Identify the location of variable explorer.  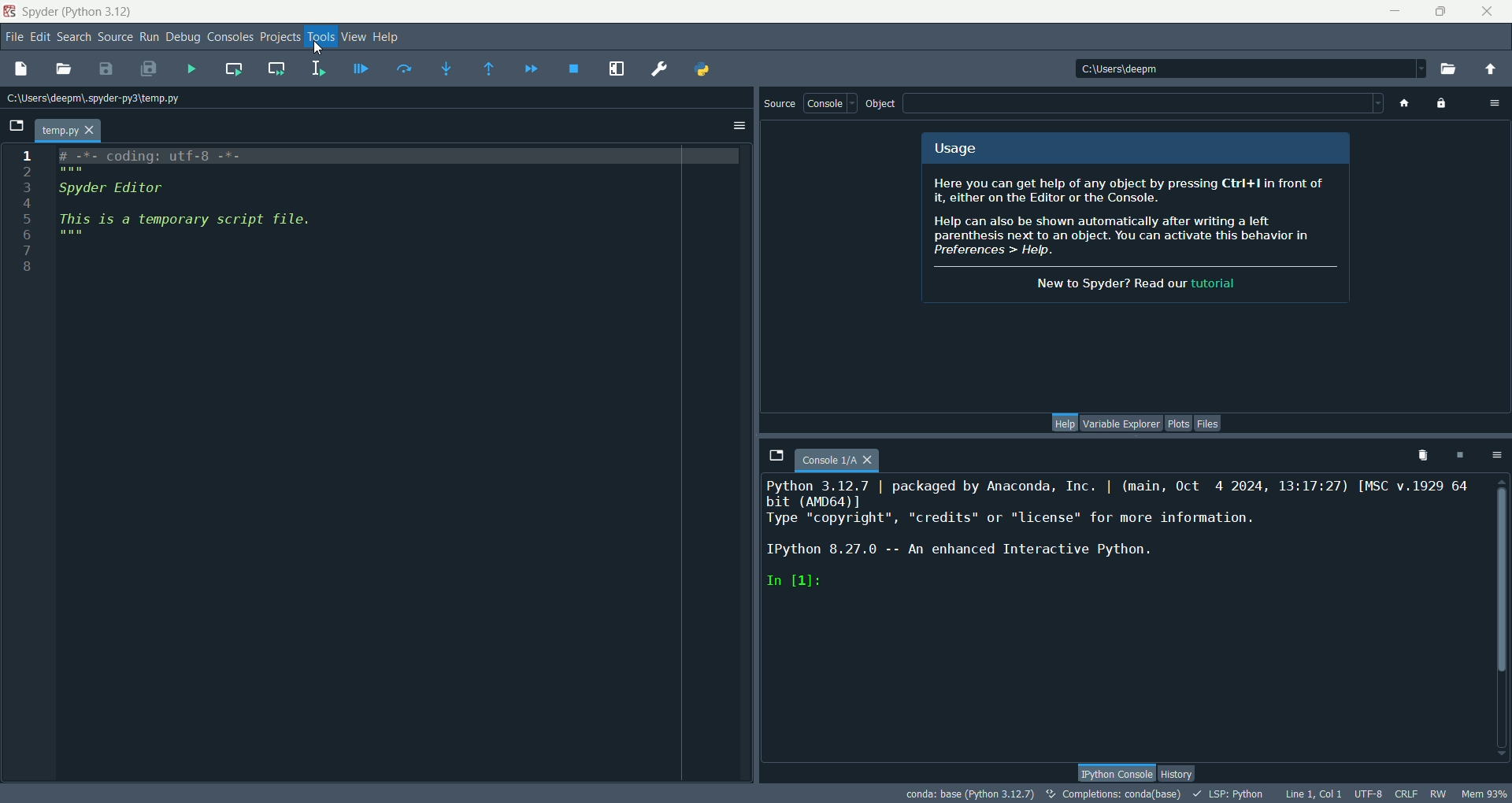
(1123, 424).